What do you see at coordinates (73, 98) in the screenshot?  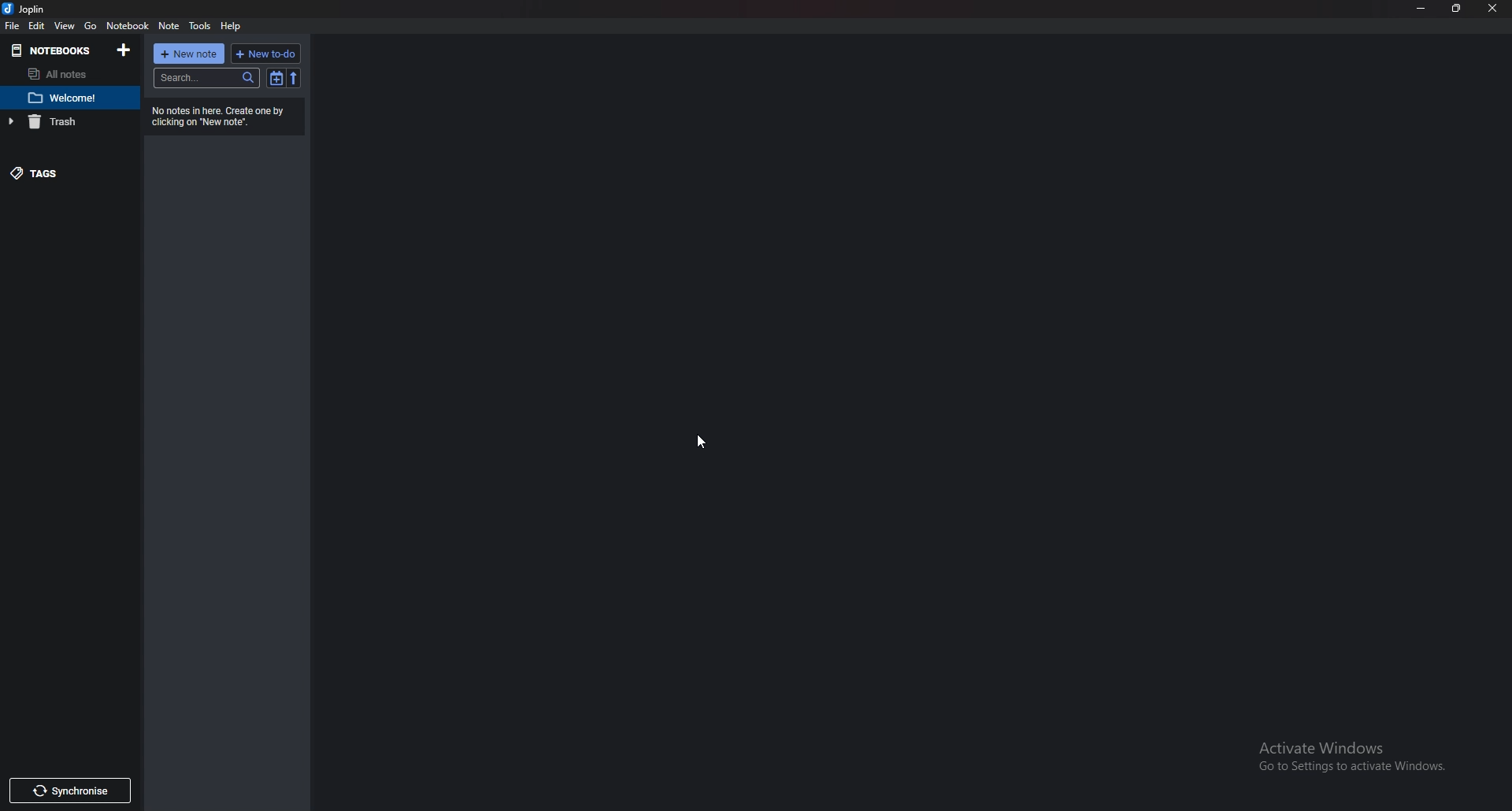 I see `note` at bounding box center [73, 98].